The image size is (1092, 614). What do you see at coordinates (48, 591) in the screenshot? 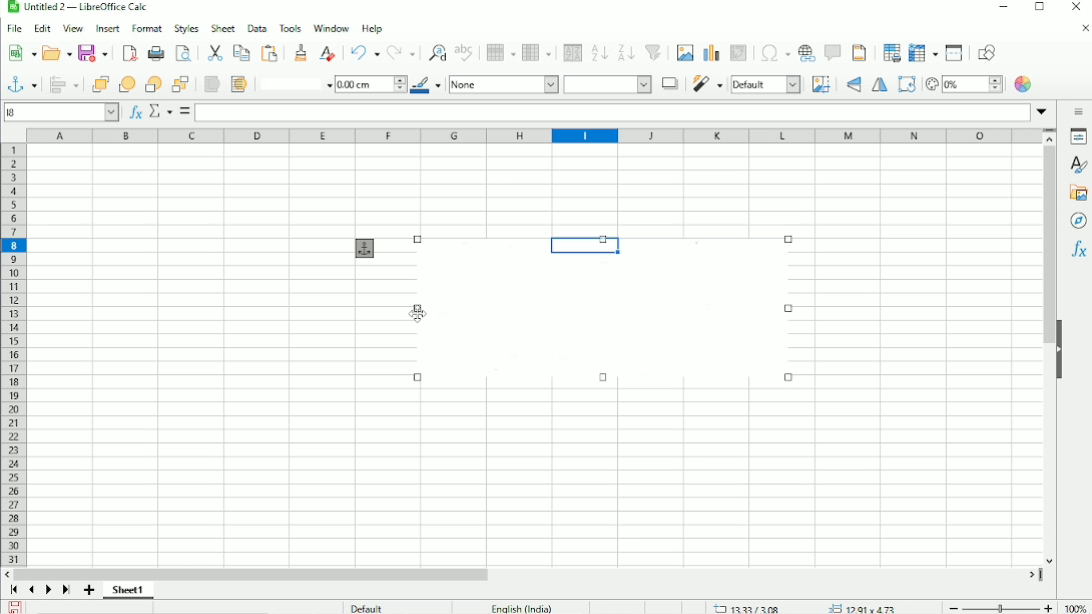
I see `Scroll to next sheet` at bounding box center [48, 591].